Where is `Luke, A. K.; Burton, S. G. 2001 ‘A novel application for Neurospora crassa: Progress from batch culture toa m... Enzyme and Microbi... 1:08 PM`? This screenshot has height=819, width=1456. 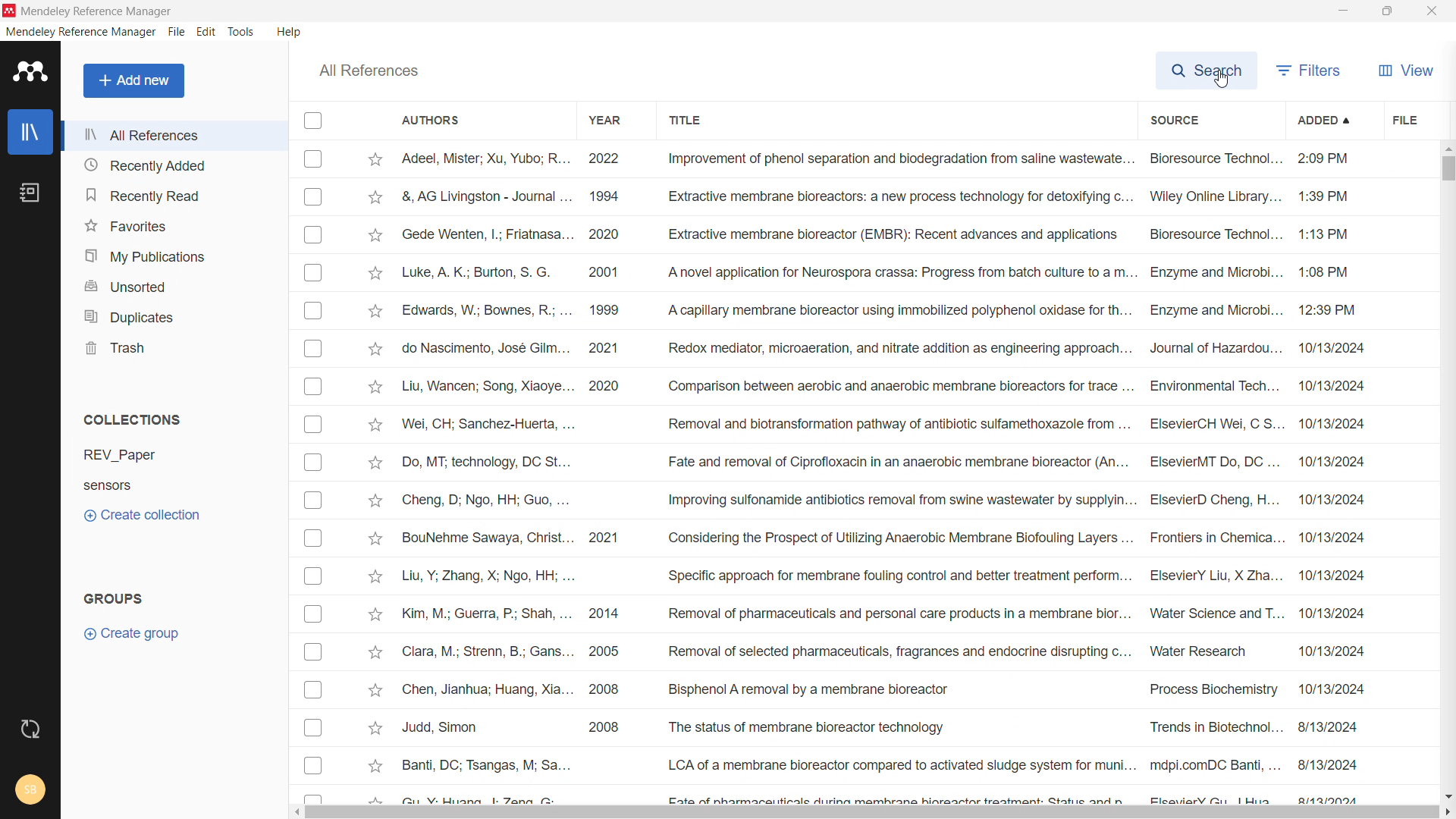
Luke, A. K.; Burton, S. G. 2001 ‘A novel application for Neurospora crassa: Progress from batch culture toa m... Enzyme and Microbi... 1:08 PM is located at coordinates (893, 271).